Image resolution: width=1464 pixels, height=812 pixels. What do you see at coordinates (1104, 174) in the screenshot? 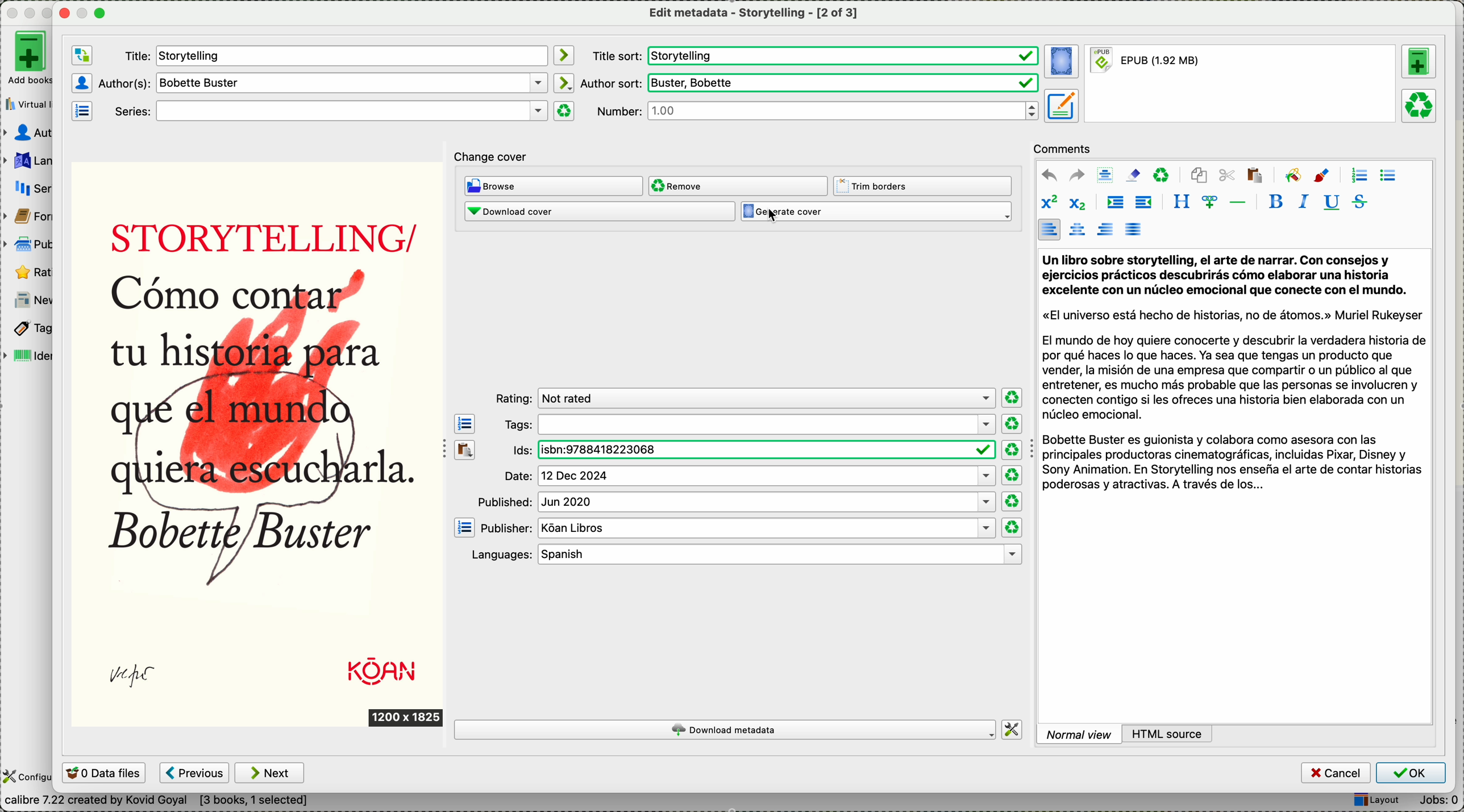
I see `select all` at bounding box center [1104, 174].